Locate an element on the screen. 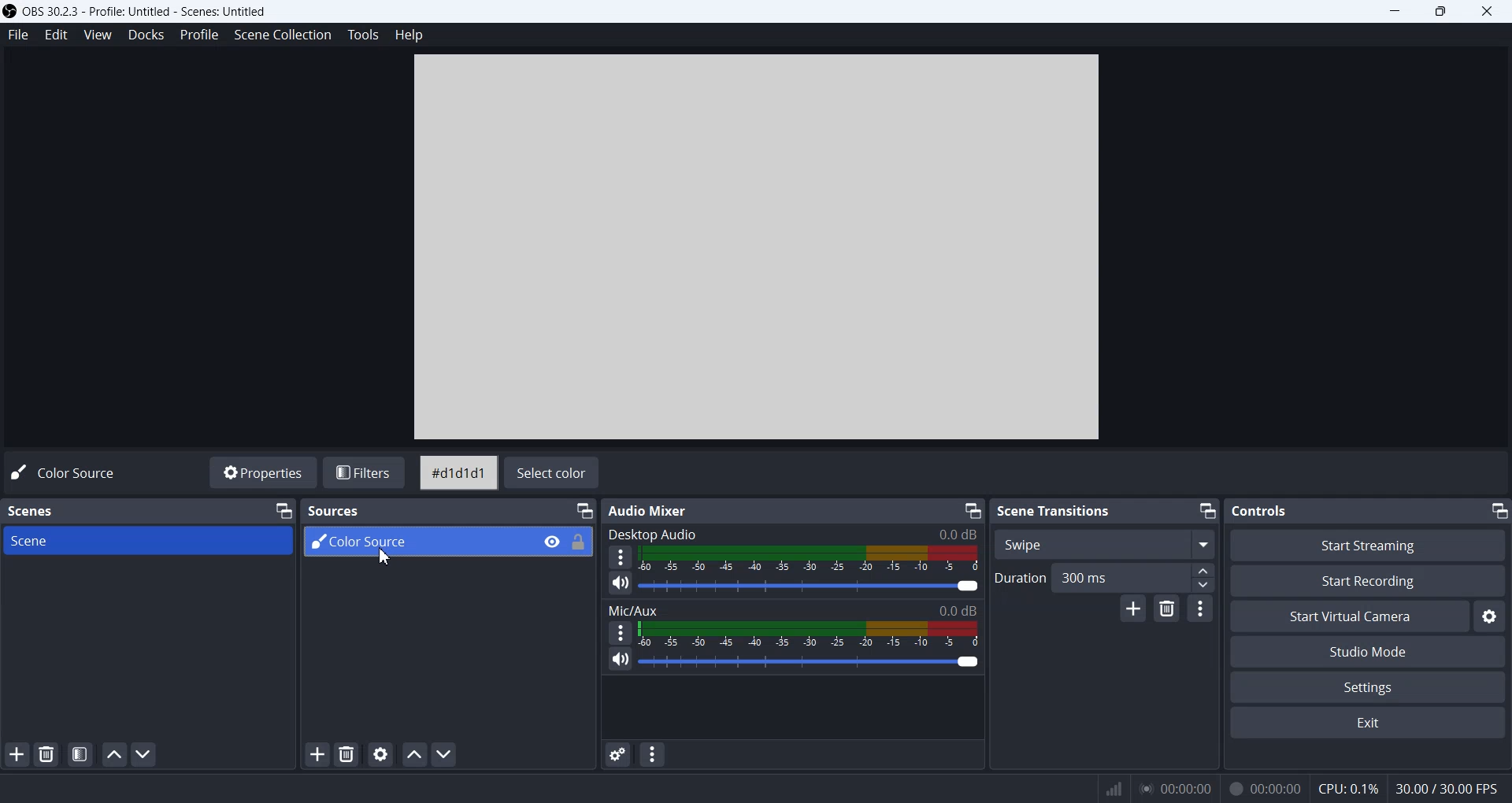 The image size is (1512, 803). Add Source is located at coordinates (317, 756).